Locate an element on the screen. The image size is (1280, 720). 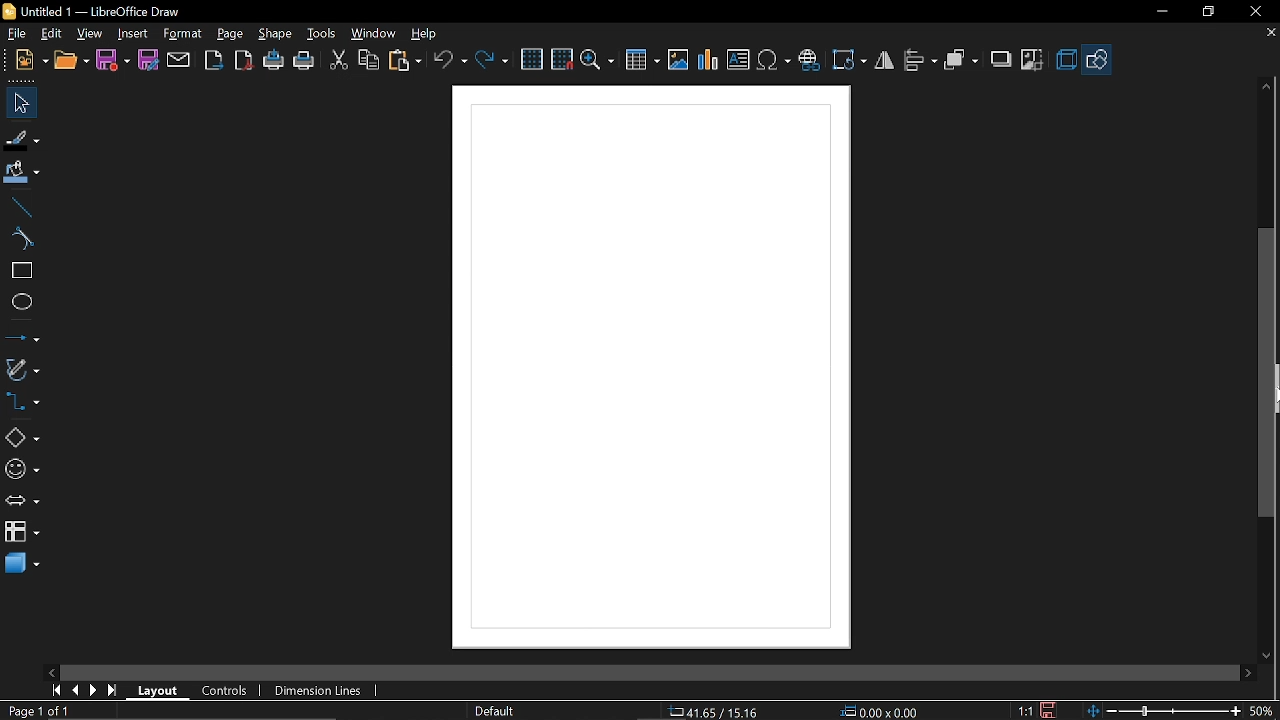
Move down is located at coordinates (1266, 655).